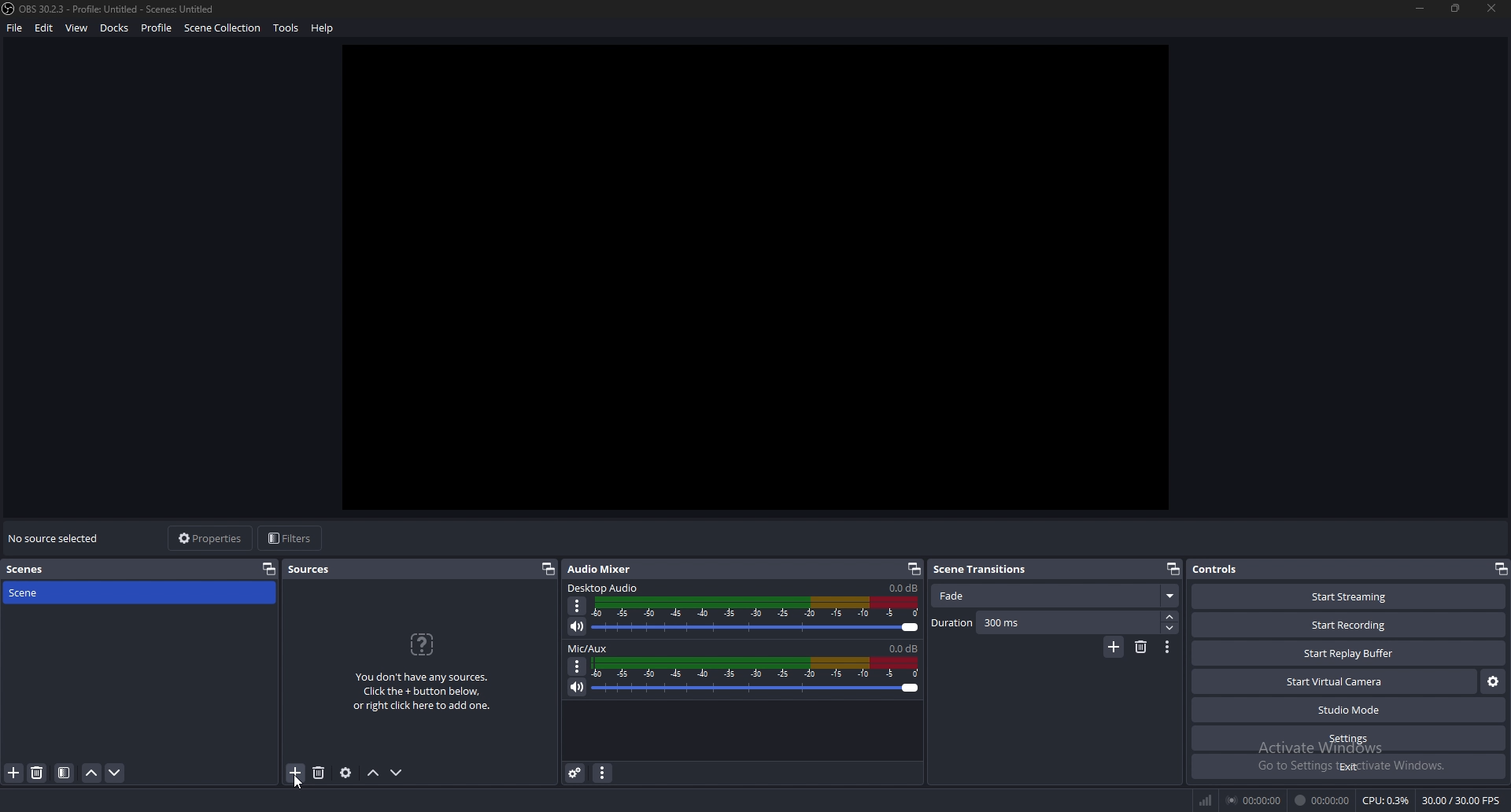  I want to click on fps, so click(1461, 800).